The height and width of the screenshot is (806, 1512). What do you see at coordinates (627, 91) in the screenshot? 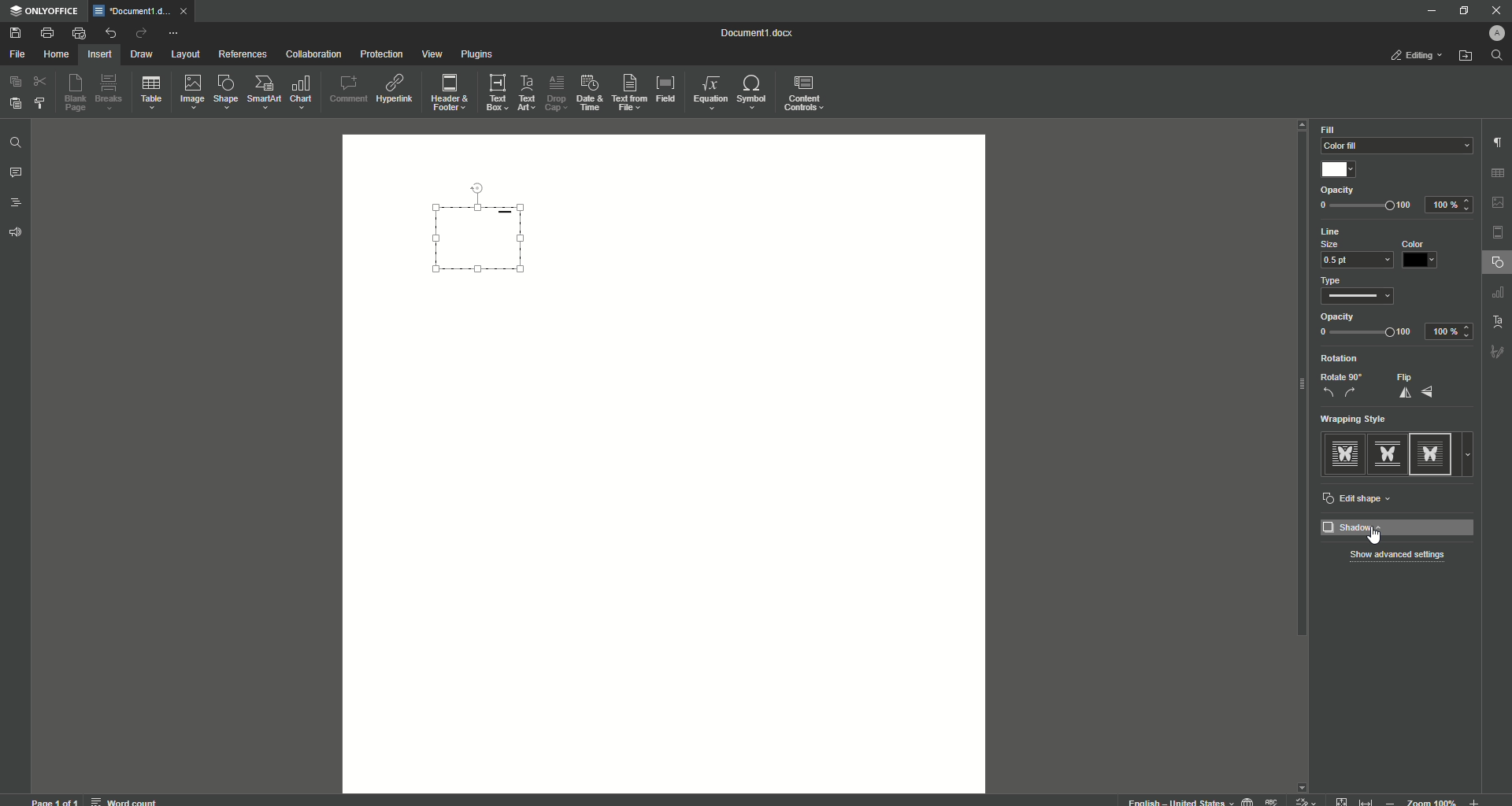
I see `Text From File` at bounding box center [627, 91].